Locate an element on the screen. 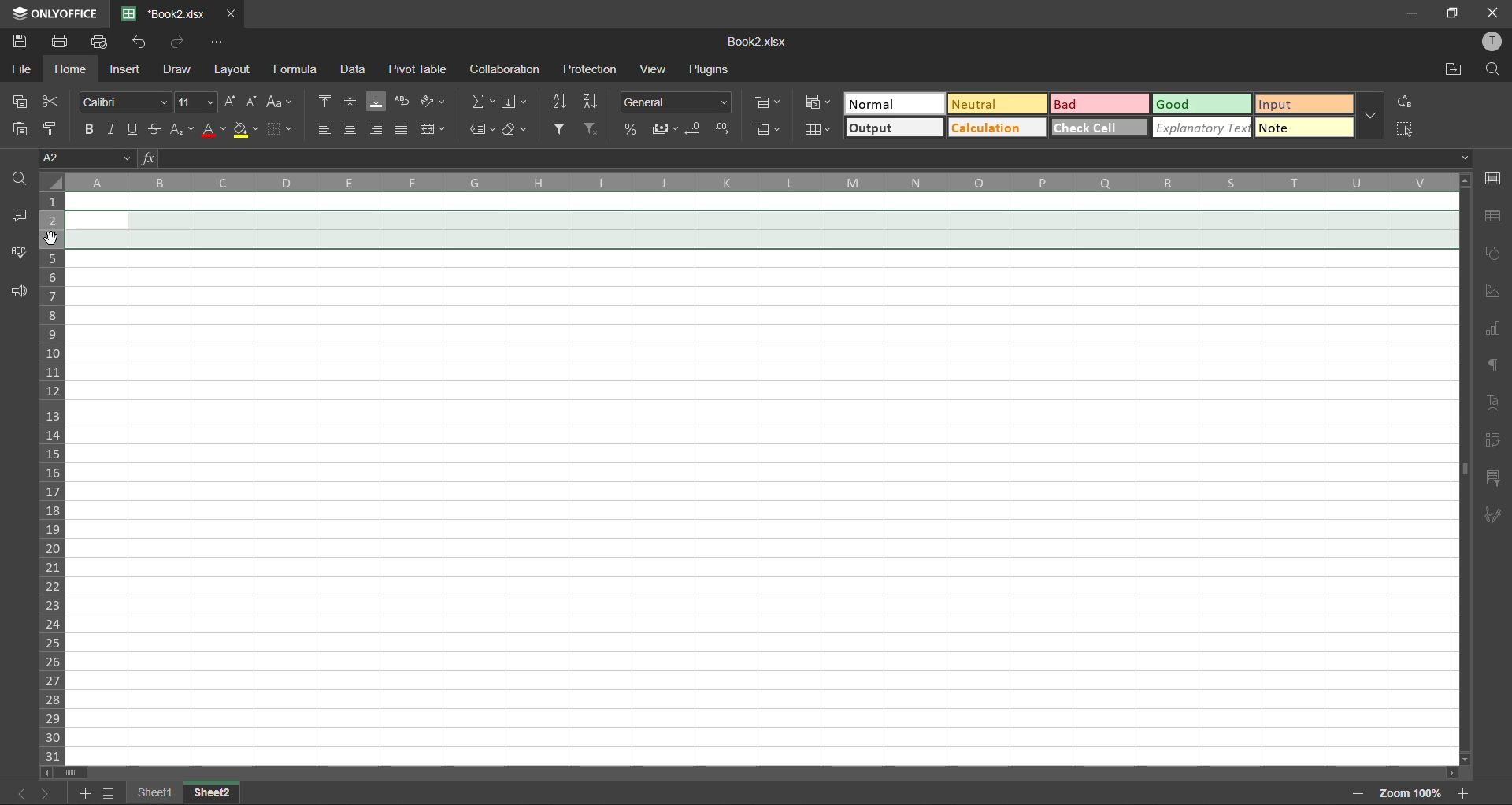 The width and height of the screenshot is (1512, 805). text is located at coordinates (1495, 402).